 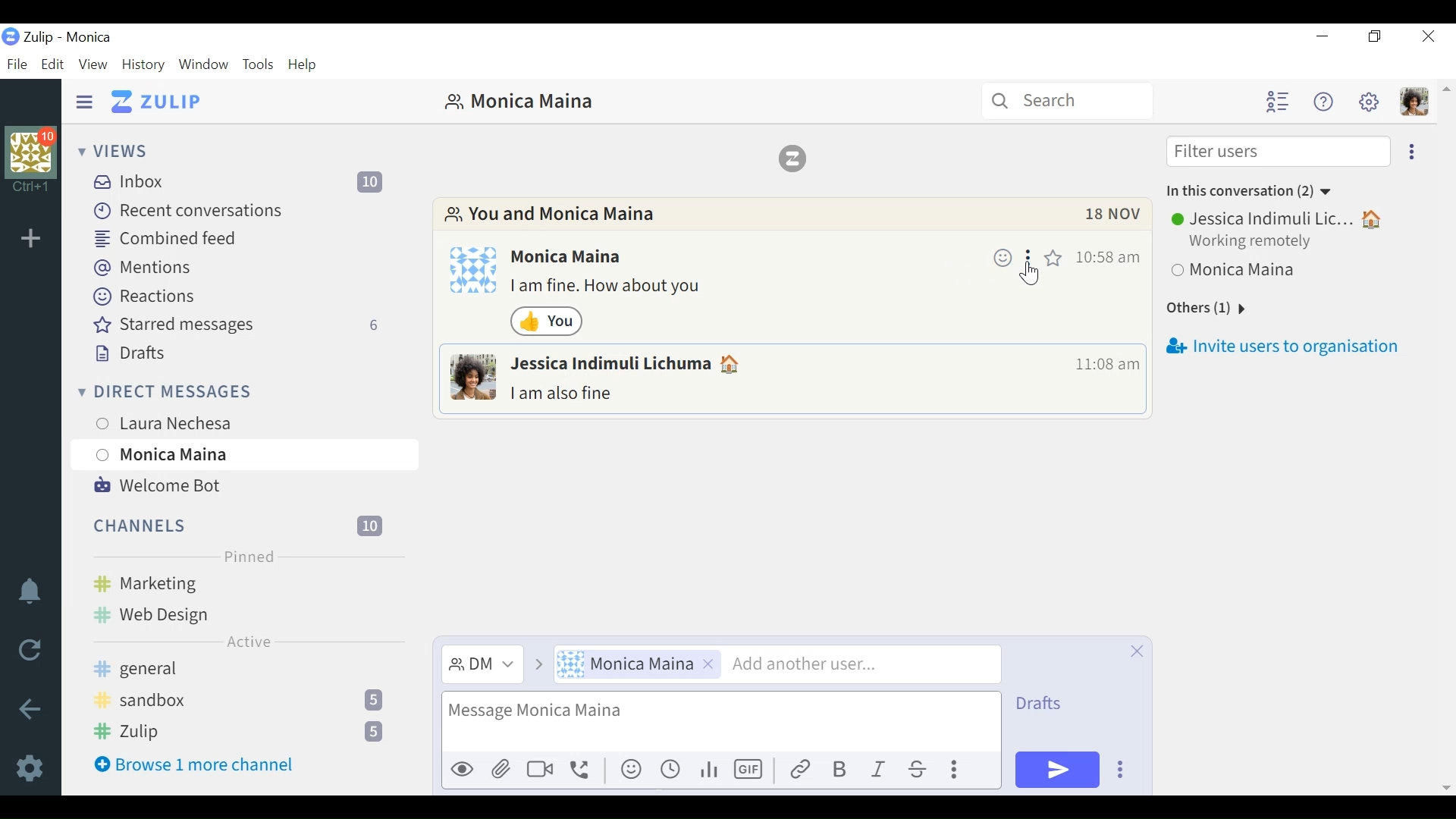 I want to click on Jessica Indimuli Lic..., so click(x=1278, y=219).